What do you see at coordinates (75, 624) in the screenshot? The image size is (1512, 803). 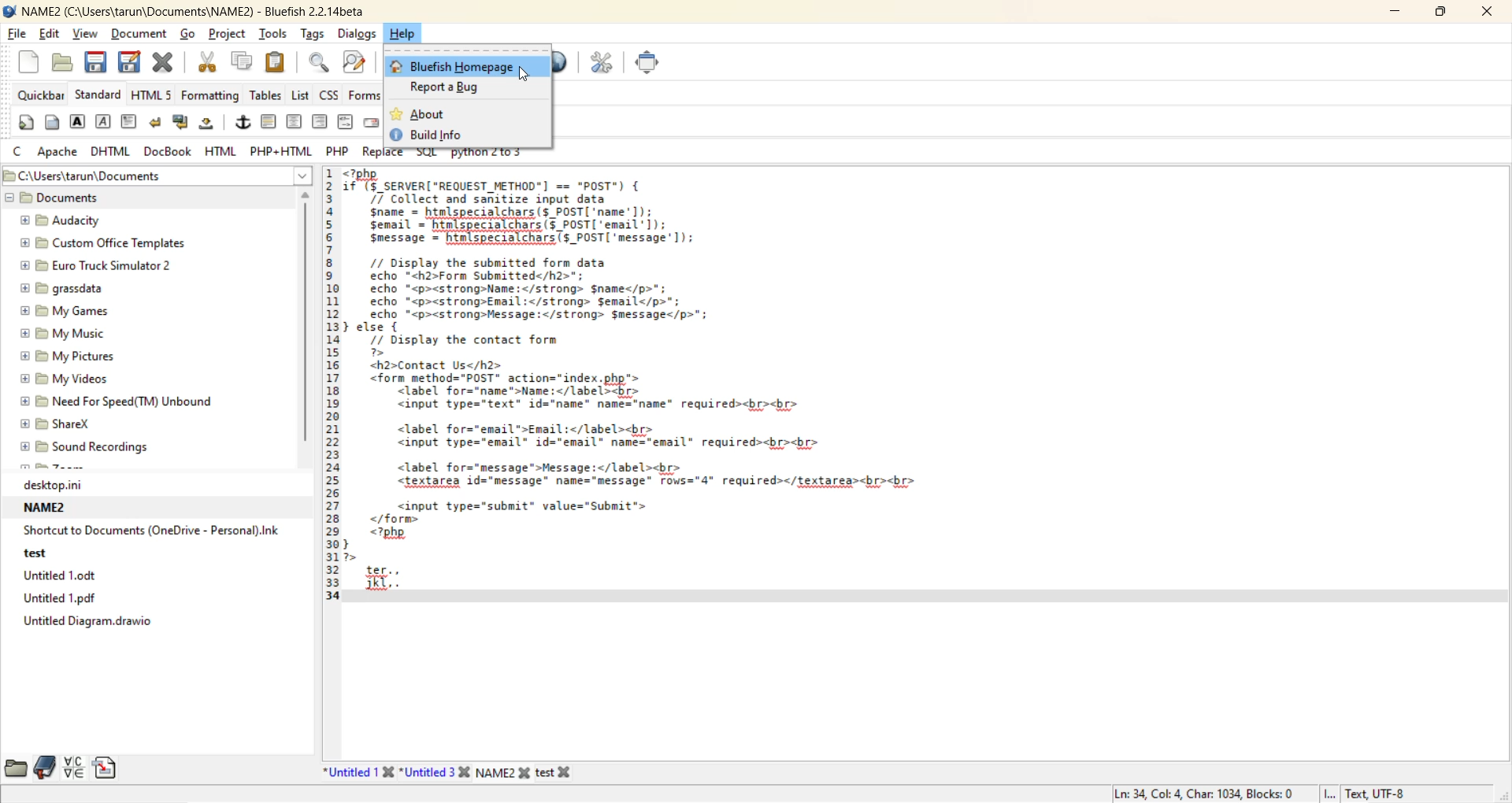 I see `Untitled Diagram. draws` at bounding box center [75, 624].